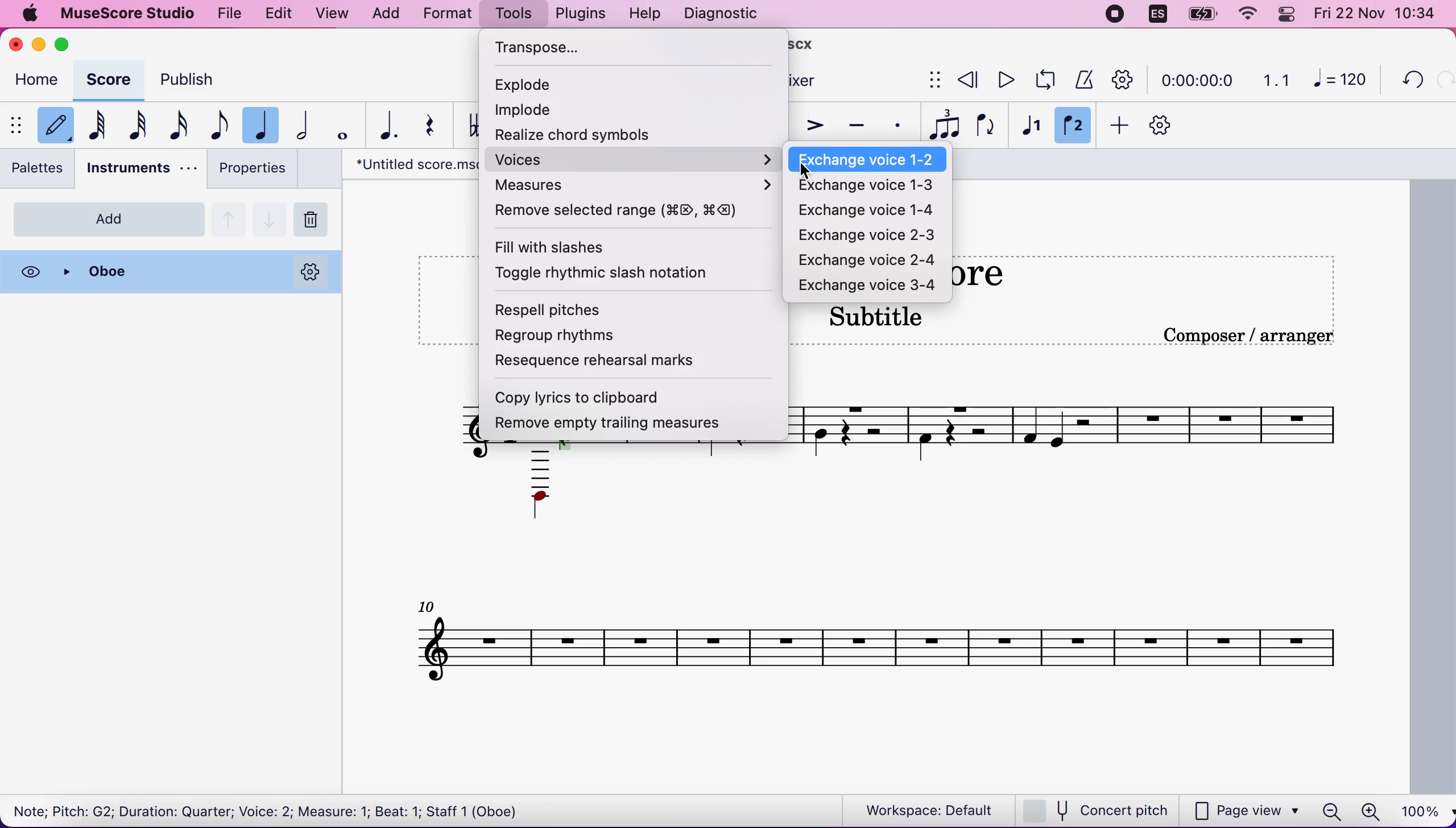  What do you see at coordinates (631, 187) in the screenshot?
I see `measures` at bounding box center [631, 187].